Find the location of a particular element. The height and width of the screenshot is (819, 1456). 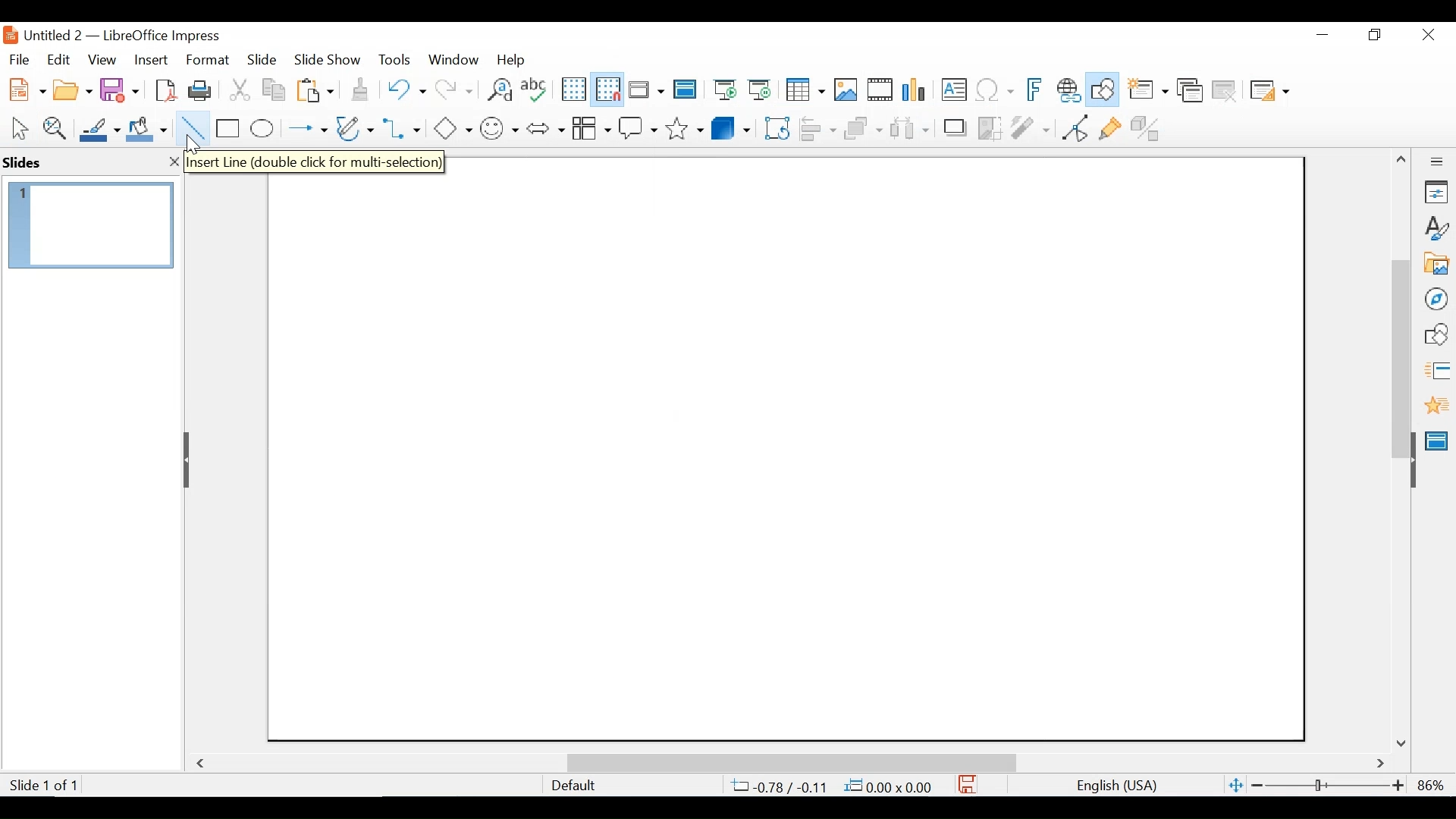

Fill Color is located at coordinates (147, 129).